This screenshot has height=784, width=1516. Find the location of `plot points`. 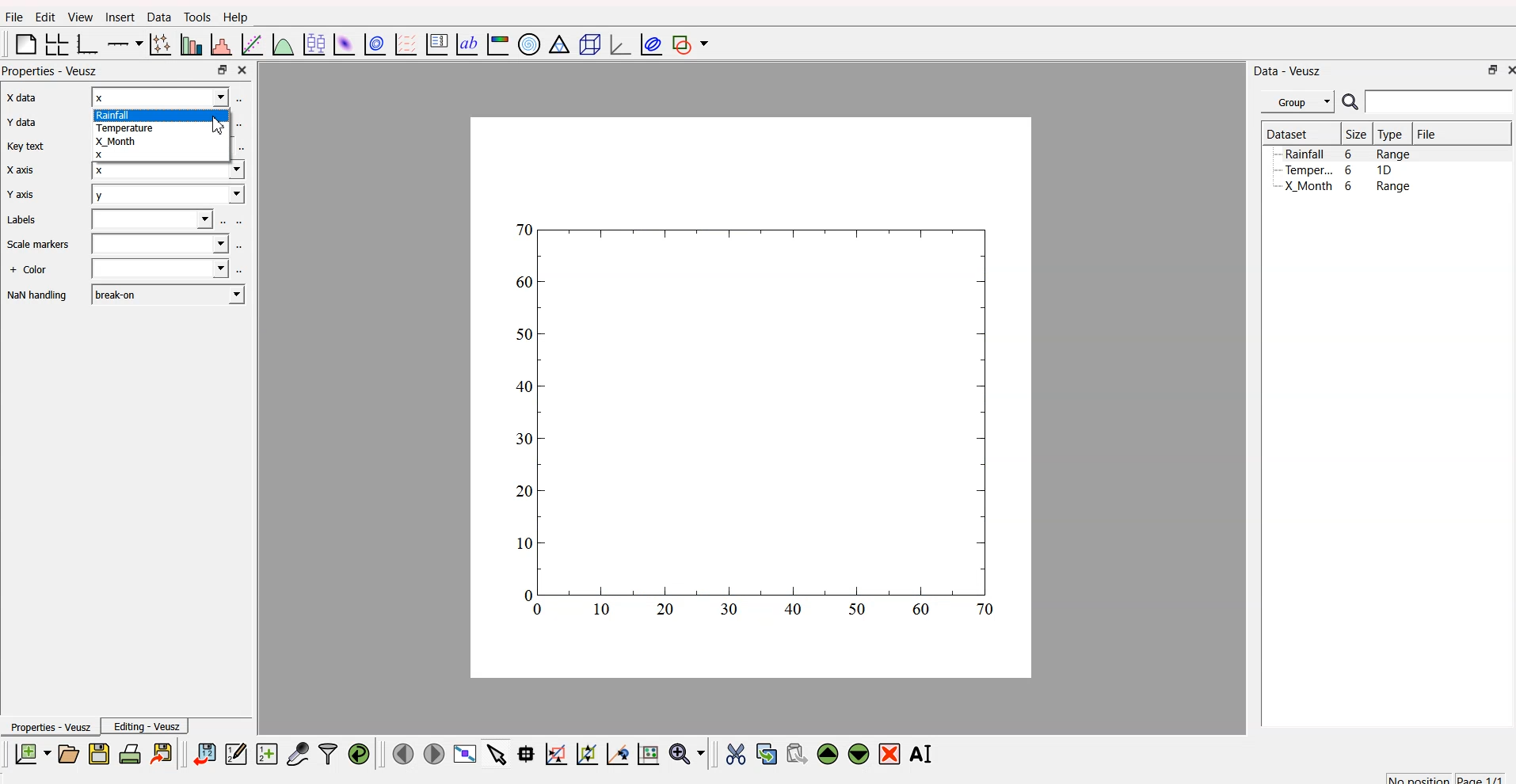

plot points is located at coordinates (158, 44).